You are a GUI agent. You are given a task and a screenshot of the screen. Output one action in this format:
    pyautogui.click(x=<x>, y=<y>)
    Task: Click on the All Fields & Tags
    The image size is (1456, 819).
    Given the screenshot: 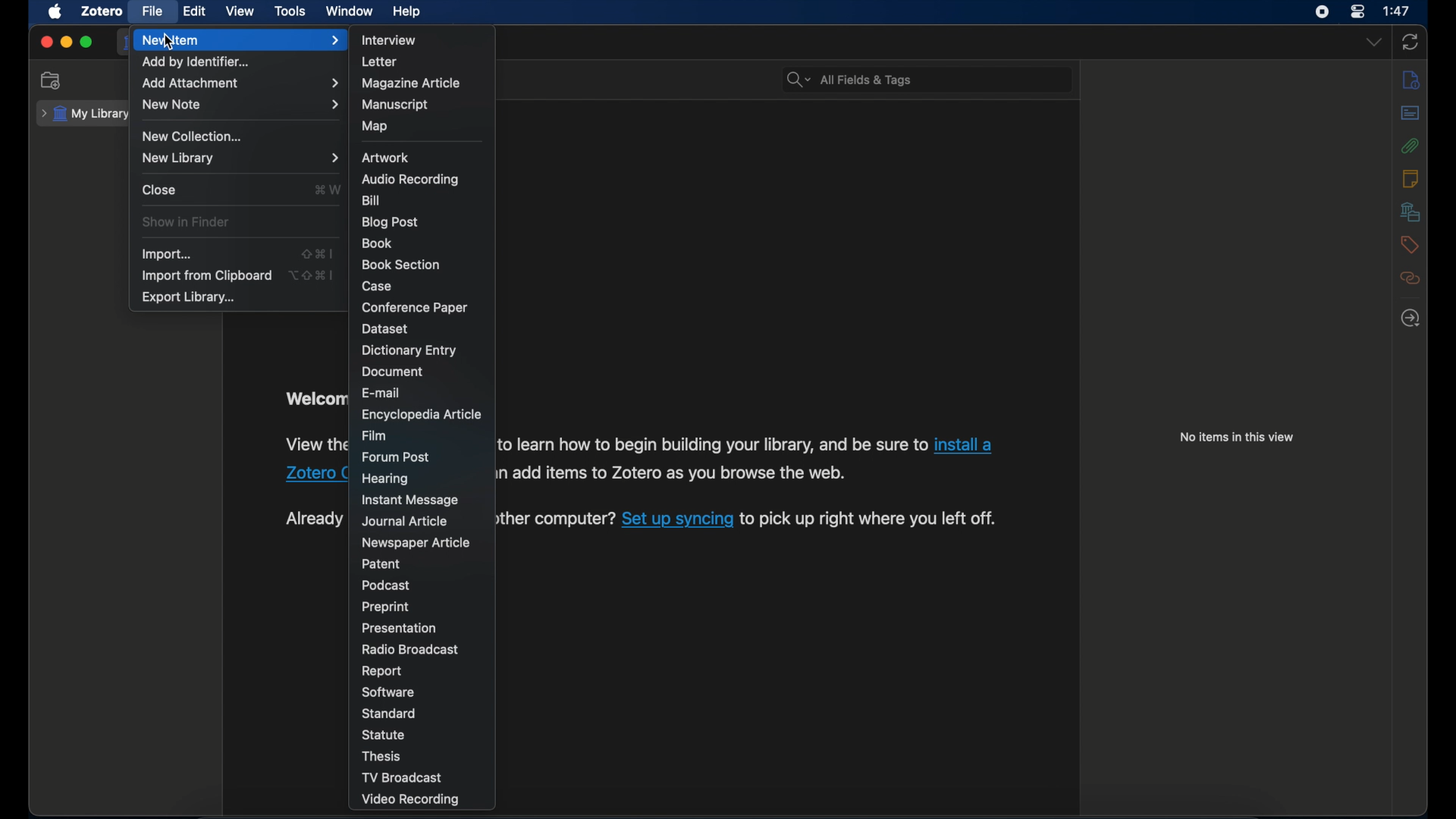 What is the action you would take?
    pyautogui.click(x=925, y=78)
    